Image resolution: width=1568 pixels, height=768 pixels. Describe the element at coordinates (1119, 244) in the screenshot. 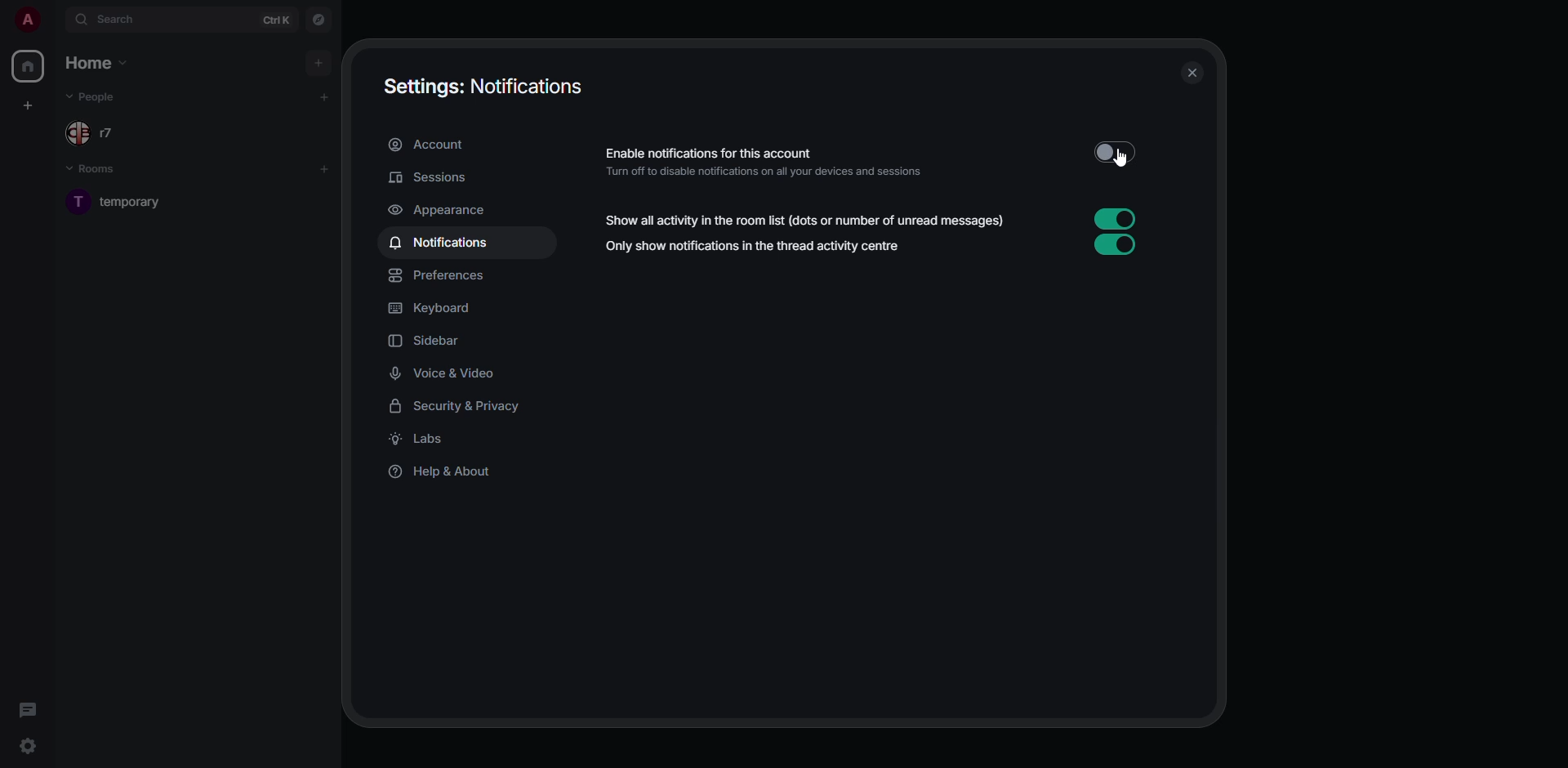

I see `enabled` at that location.